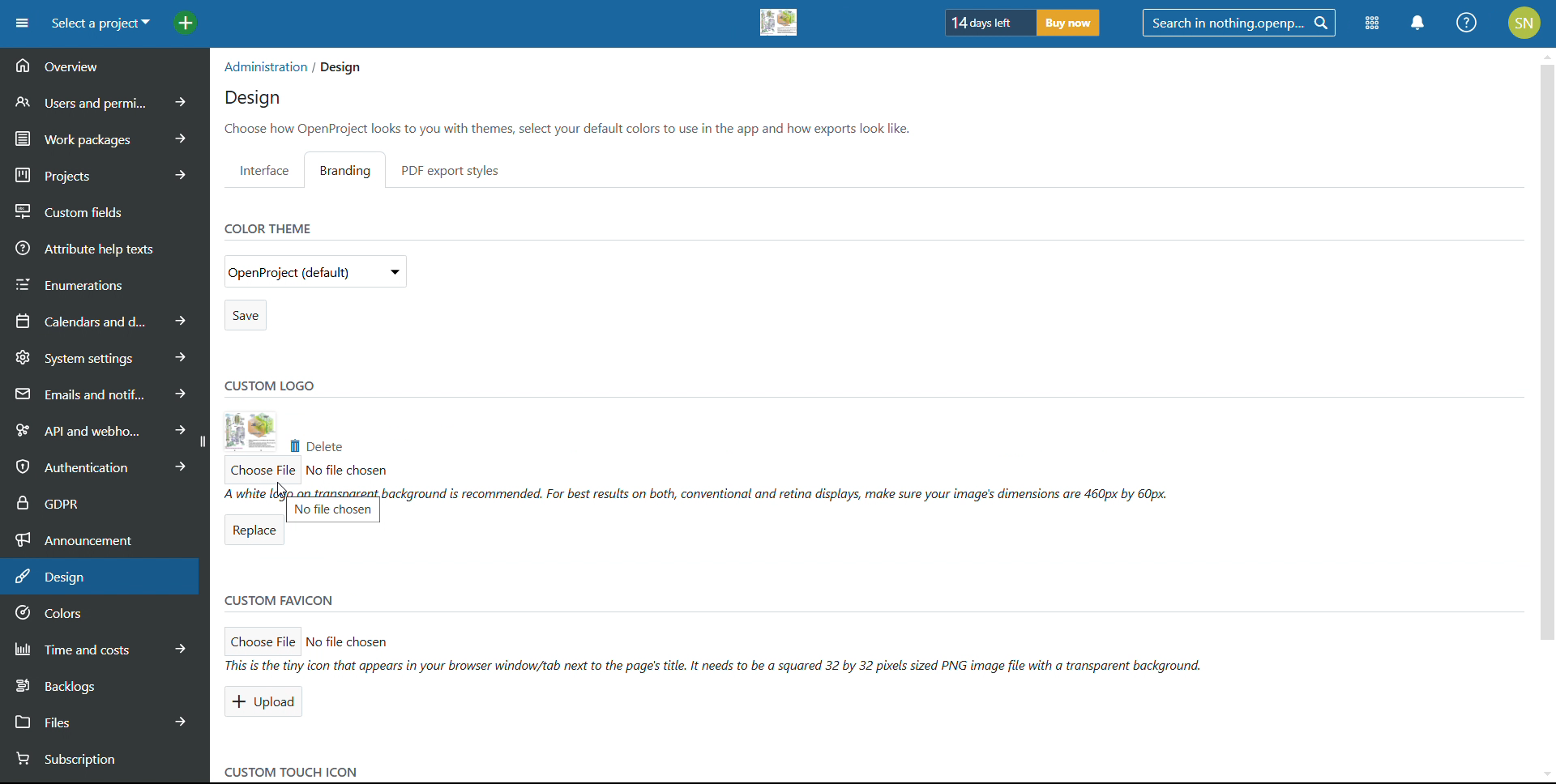 The height and width of the screenshot is (784, 1556). Describe the element at coordinates (22, 23) in the screenshot. I see `open sidebar menu` at that location.